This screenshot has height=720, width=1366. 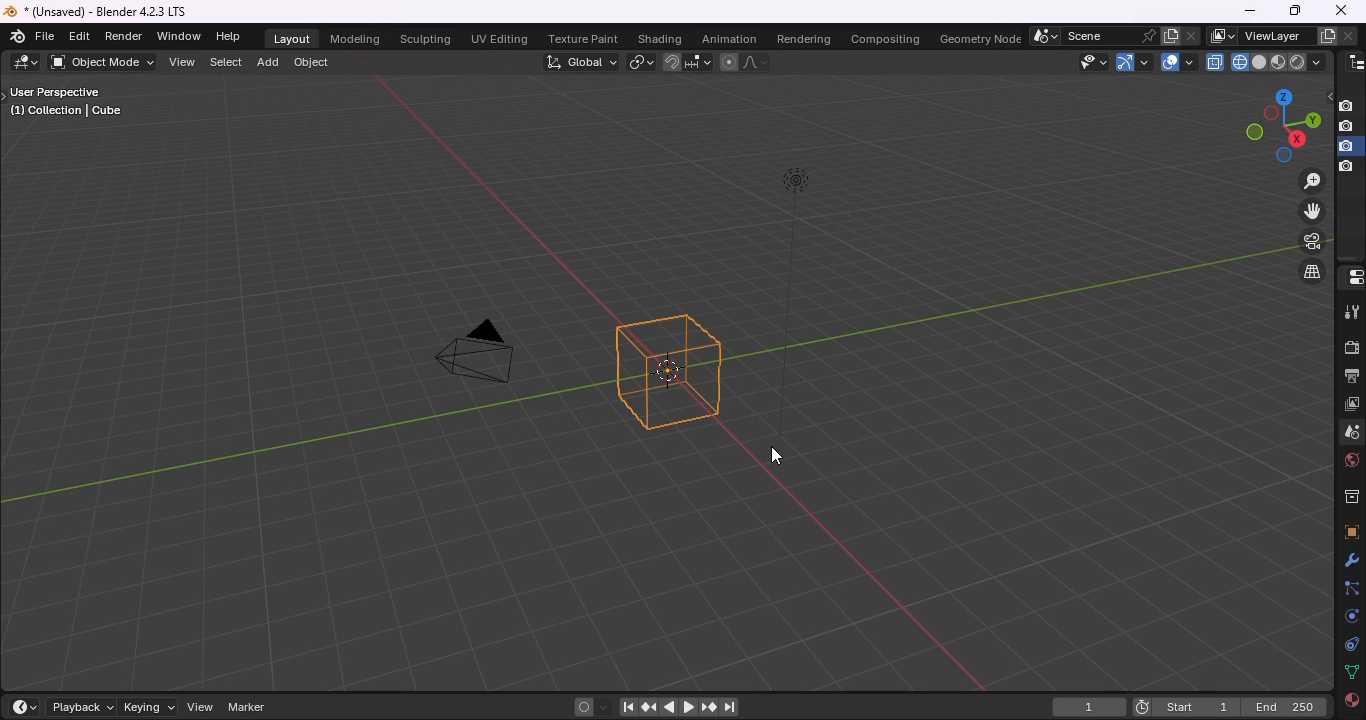 What do you see at coordinates (1148, 35) in the screenshot?
I see `pin scene` at bounding box center [1148, 35].